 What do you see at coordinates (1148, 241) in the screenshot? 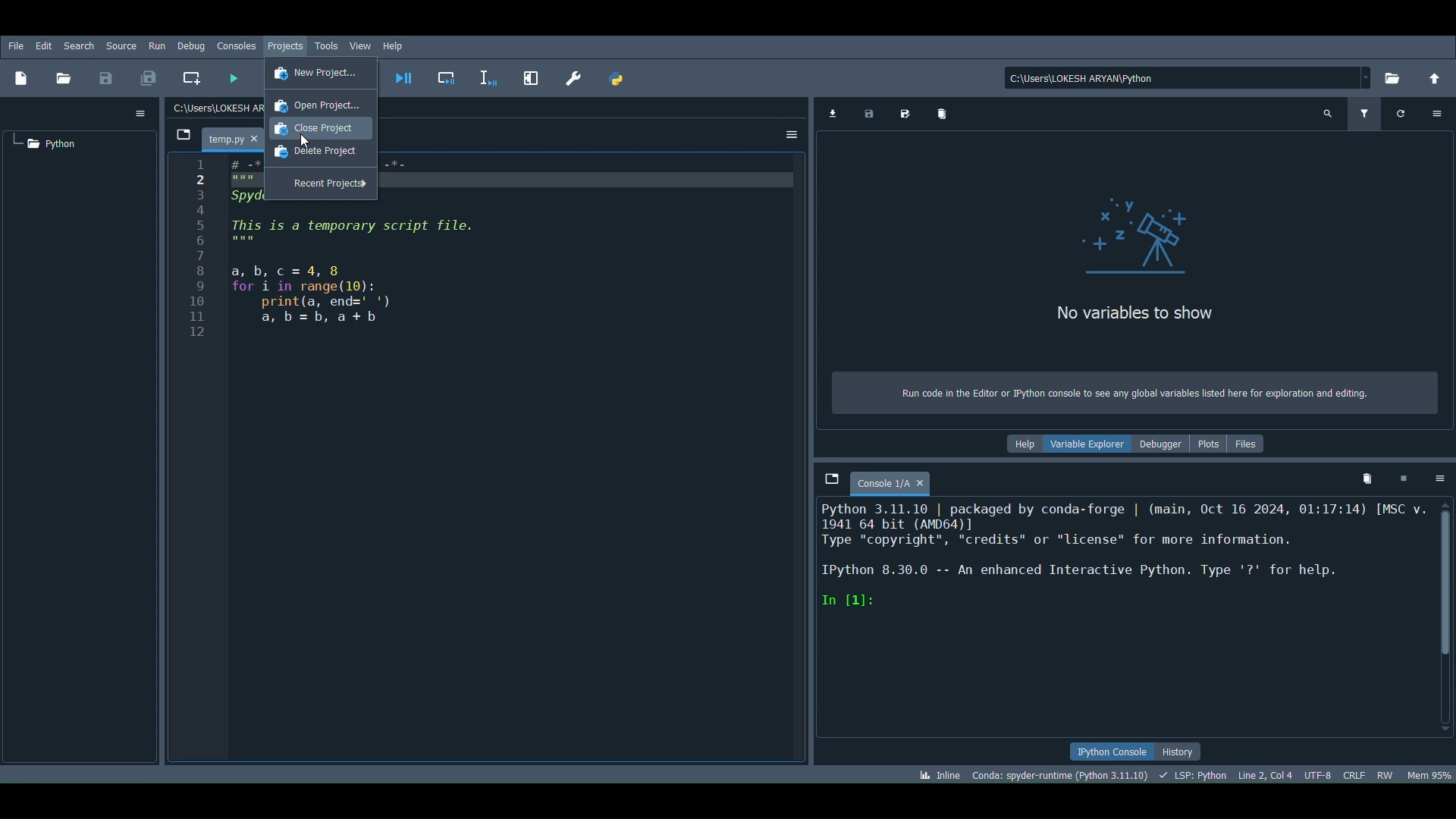
I see `Visual element` at bounding box center [1148, 241].